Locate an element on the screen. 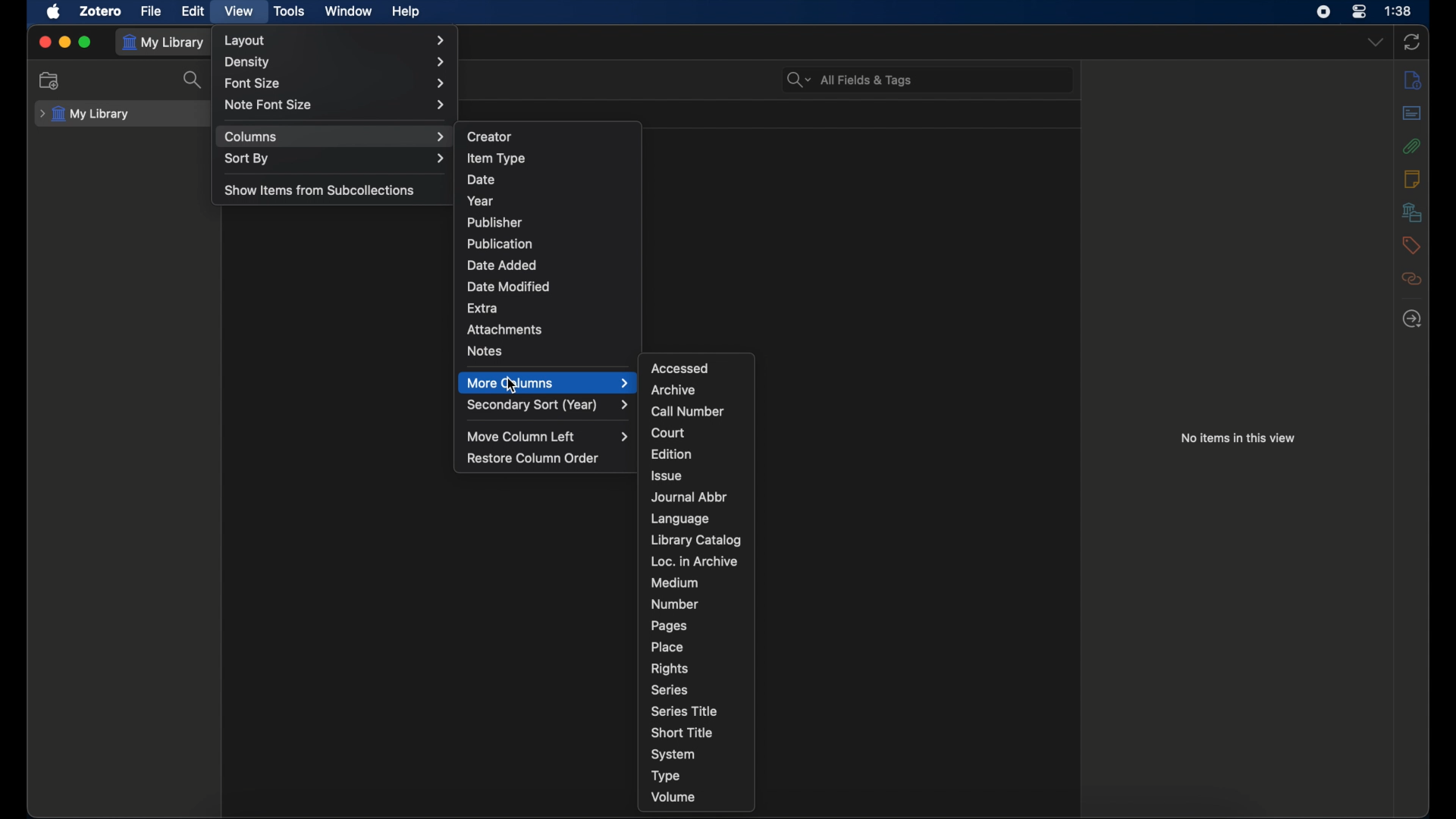 The image size is (1456, 819). close is located at coordinates (44, 42).